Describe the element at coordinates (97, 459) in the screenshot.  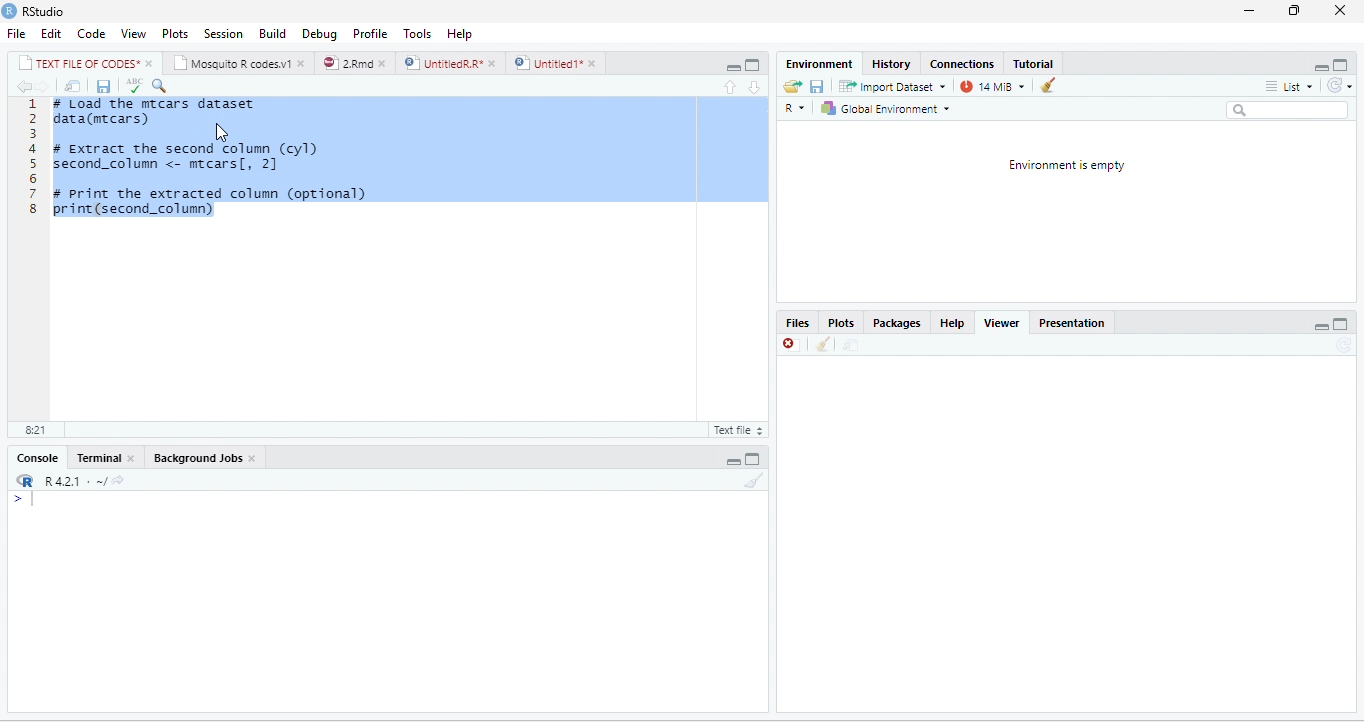
I see `Terminal` at that location.